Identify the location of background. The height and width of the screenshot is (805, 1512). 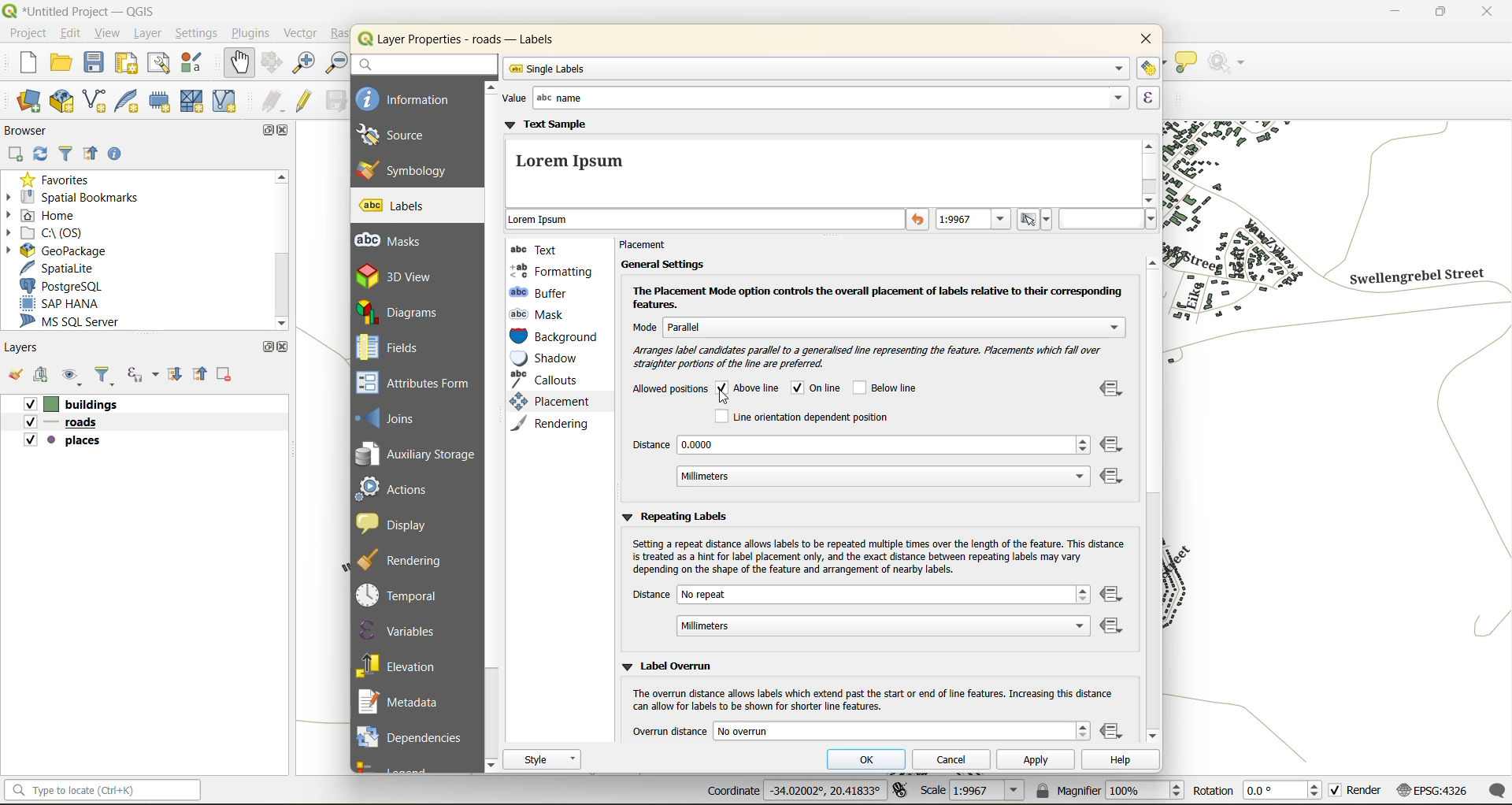
(555, 338).